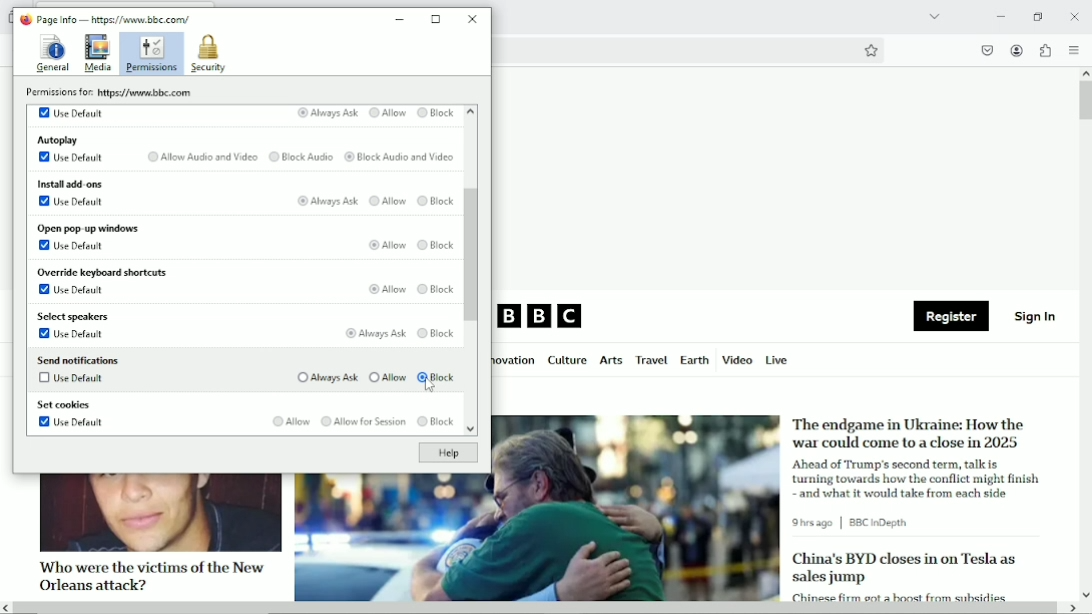  I want to click on Cursor, so click(430, 387).